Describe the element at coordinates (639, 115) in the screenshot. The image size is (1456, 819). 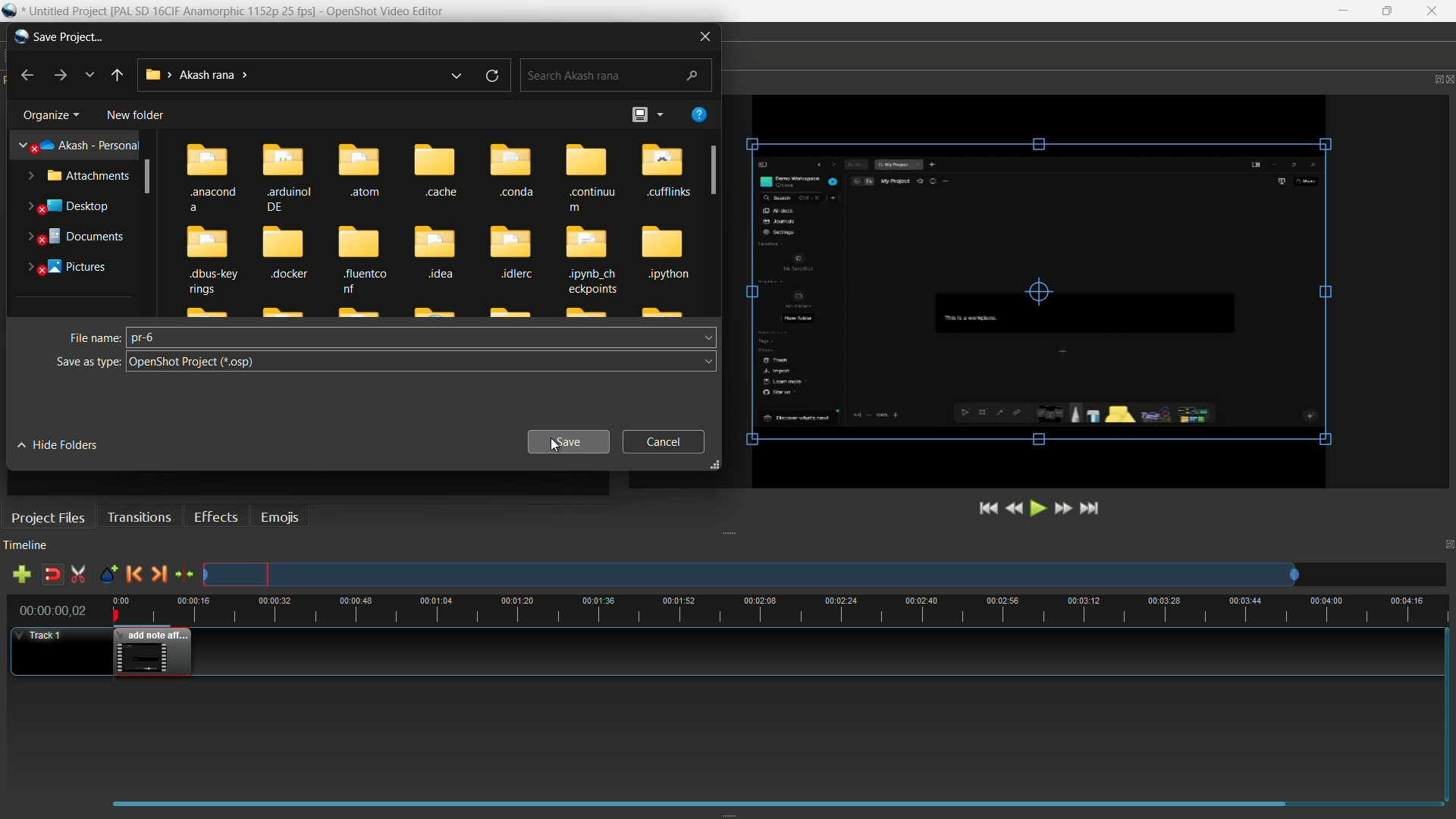
I see `change layout` at that location.